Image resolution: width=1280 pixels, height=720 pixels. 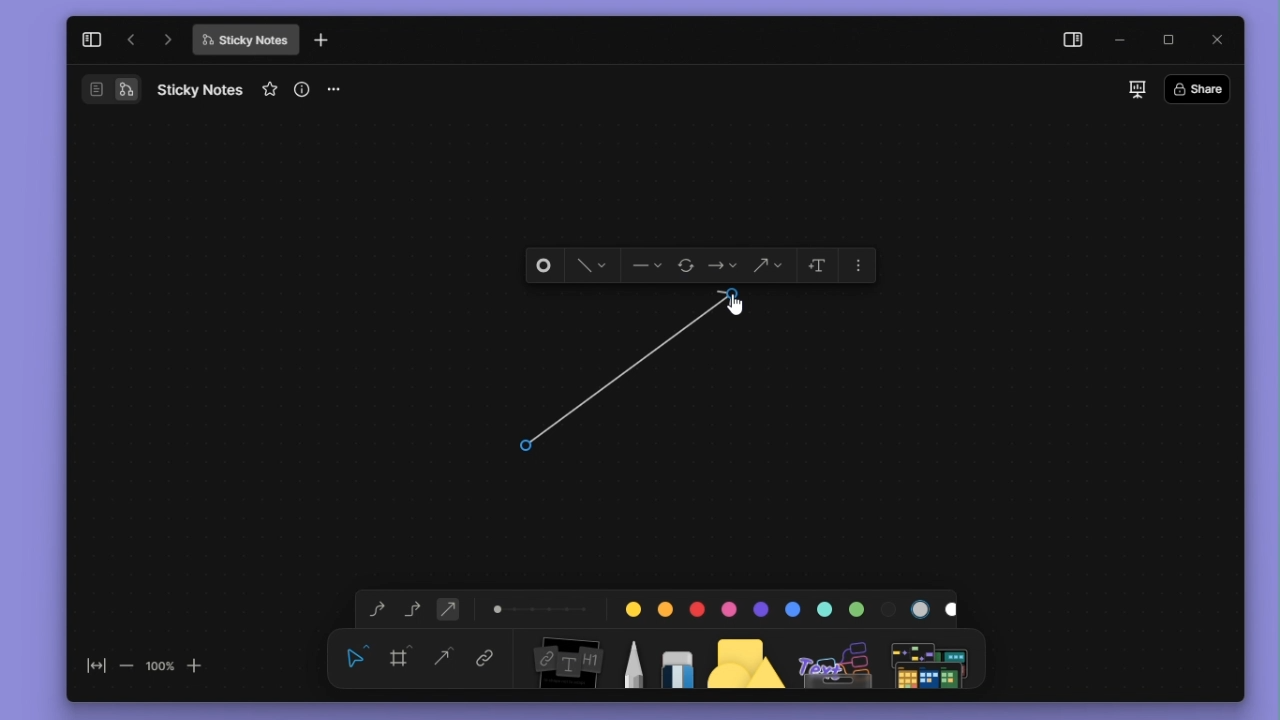 What do you see at coordinates (747, 657) in the screenshot?
I see `shape` at bounding box center [747, 657].